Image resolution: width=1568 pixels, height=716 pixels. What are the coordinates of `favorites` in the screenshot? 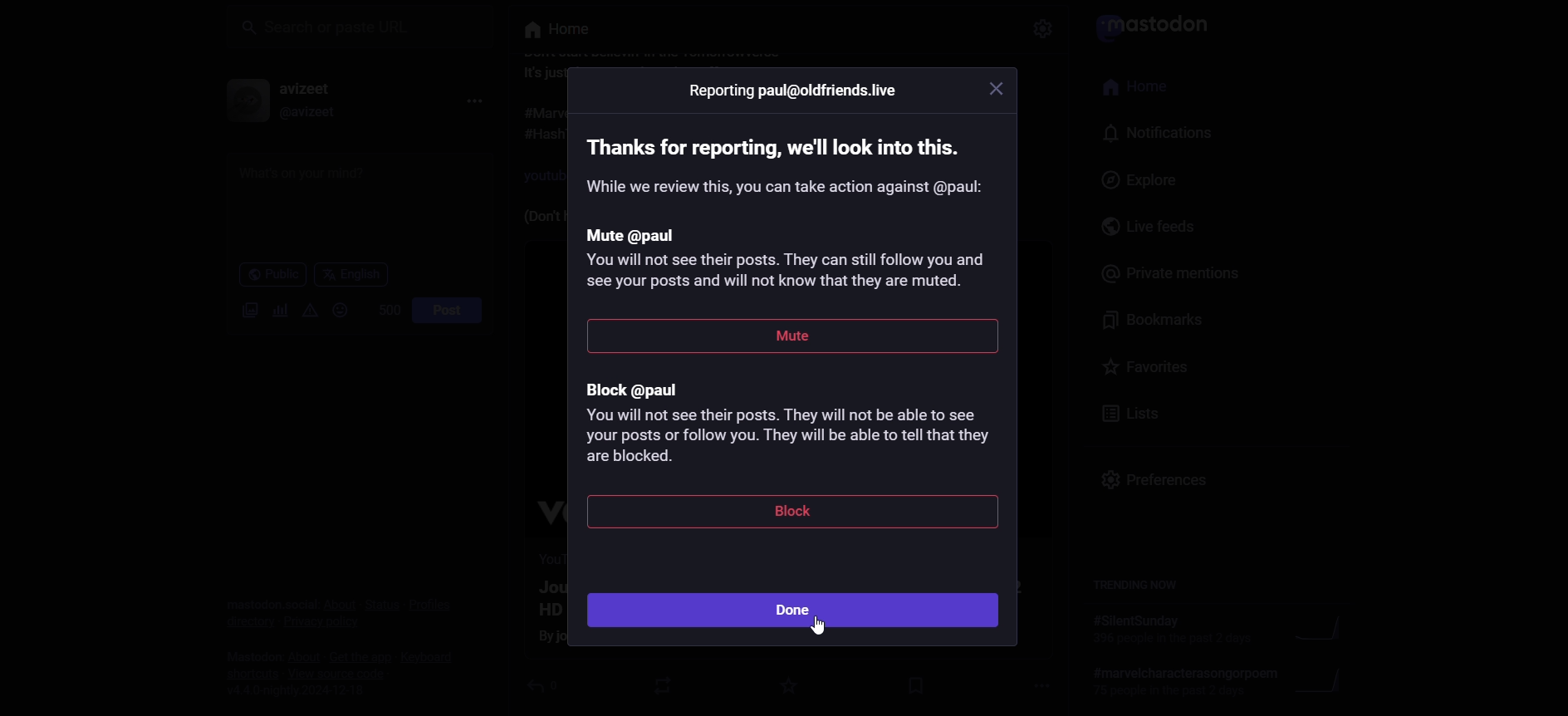 It's located at (1144, 365).